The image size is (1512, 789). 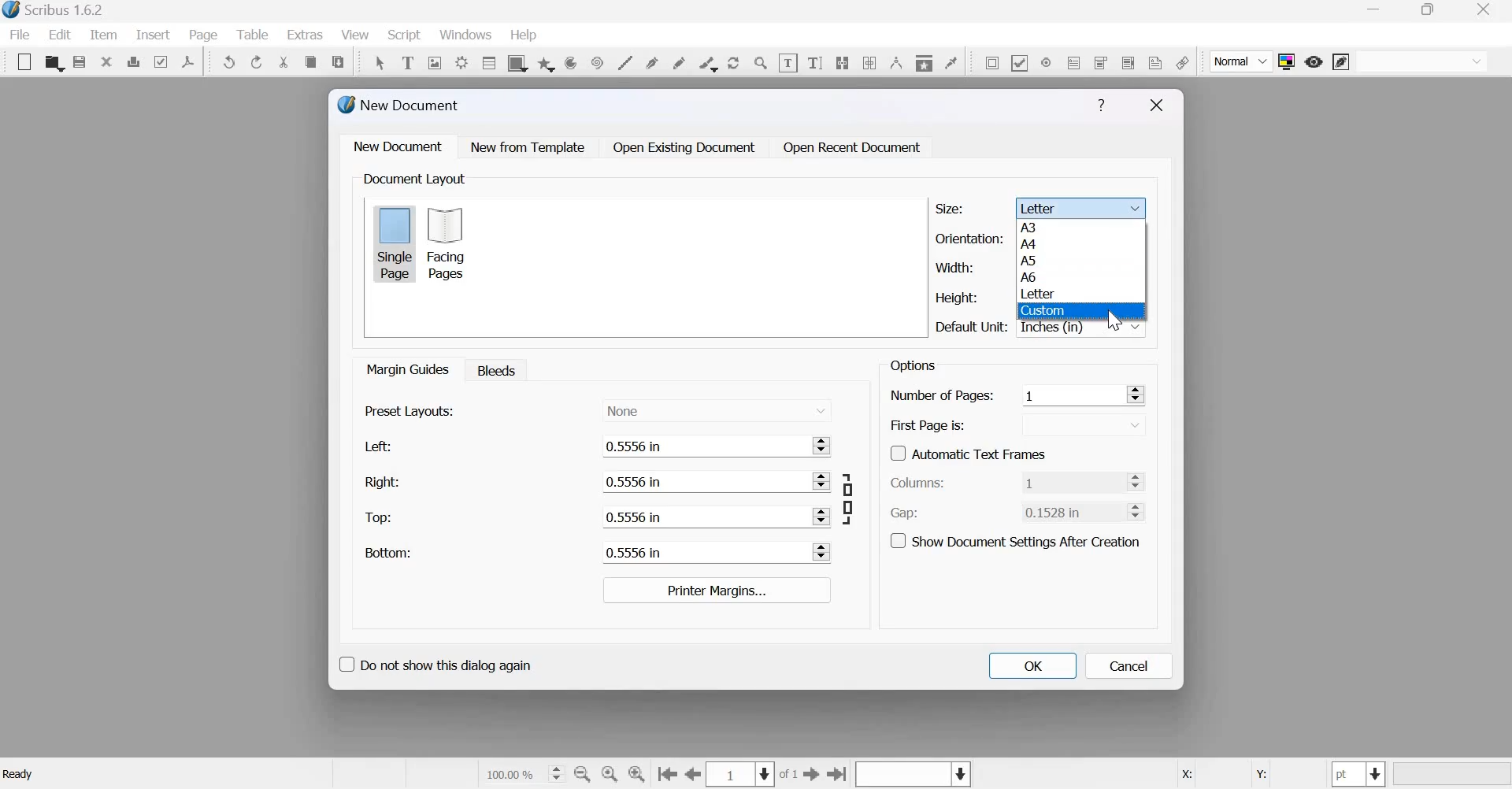 I want to click on copy, so click(x=310, y=62).